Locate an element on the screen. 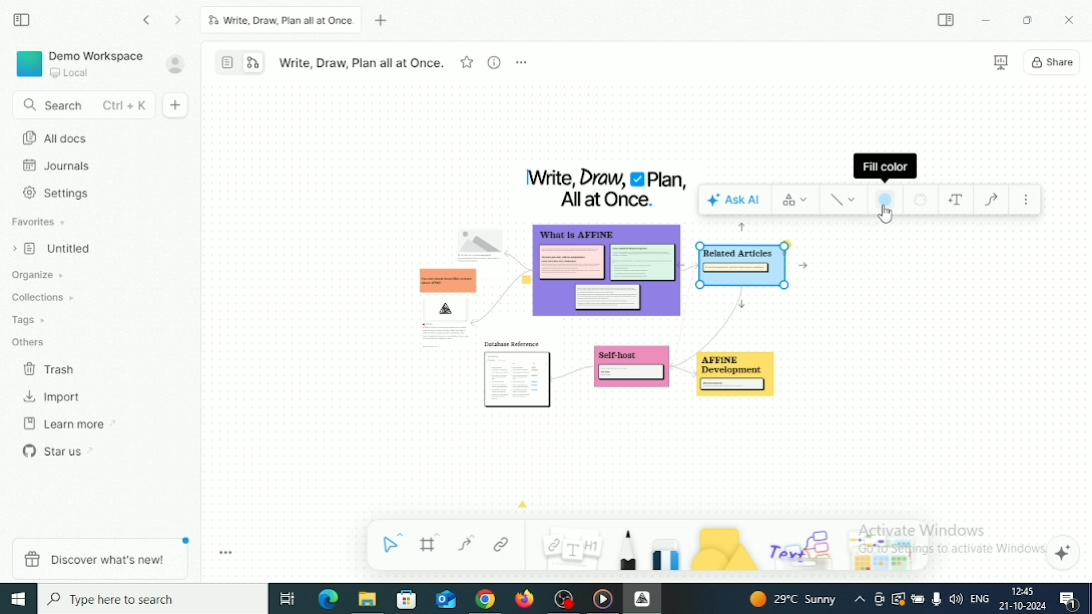  Learn more is located at coordinates (70, 424).